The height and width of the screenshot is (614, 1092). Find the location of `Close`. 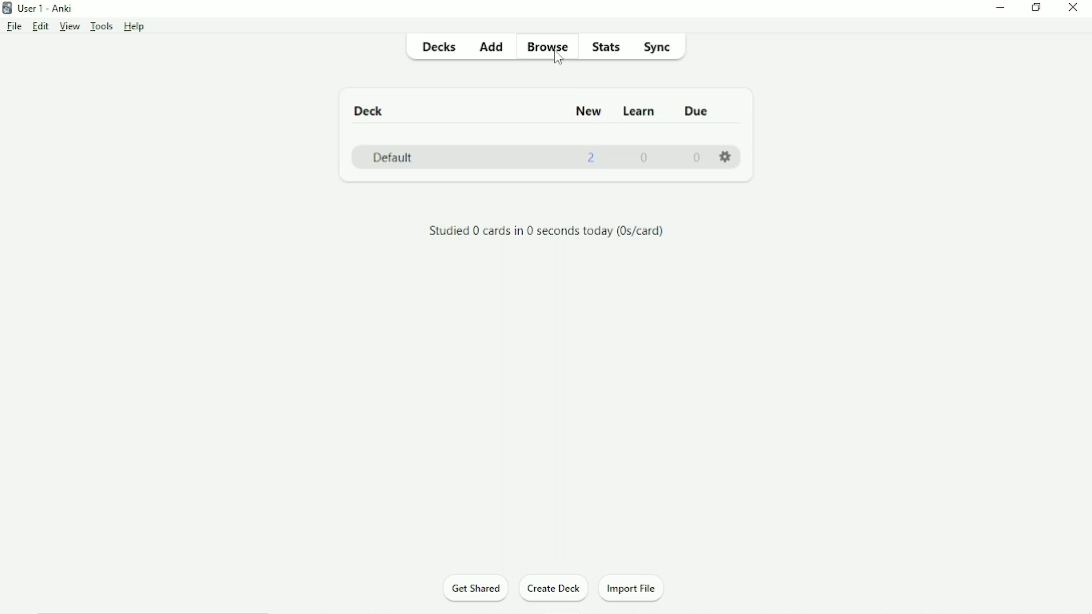

Close is located at coordinates (1074, 7).